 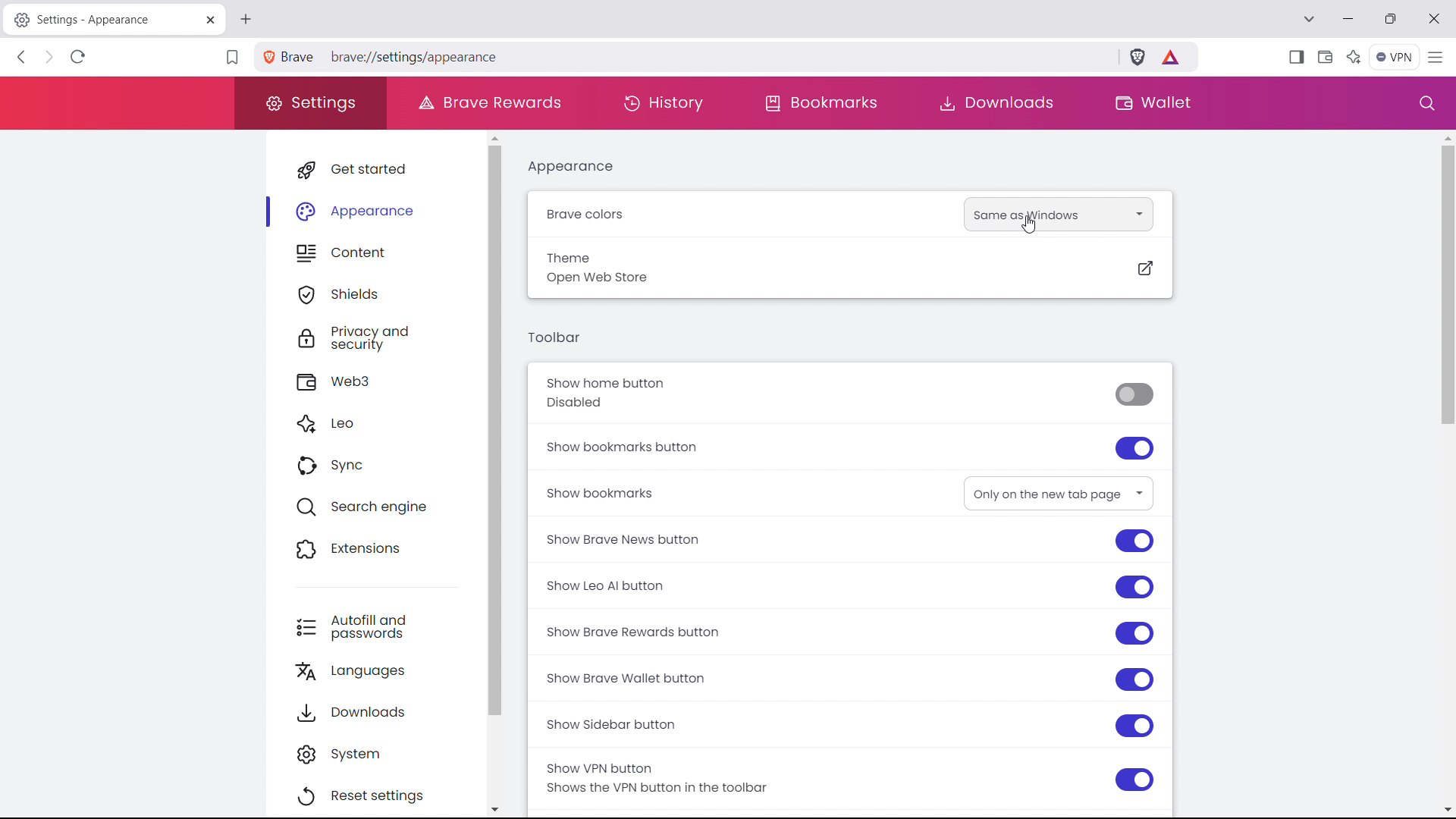 I want to click on click to go forward, hold to see history, so click(x=50, y=56).